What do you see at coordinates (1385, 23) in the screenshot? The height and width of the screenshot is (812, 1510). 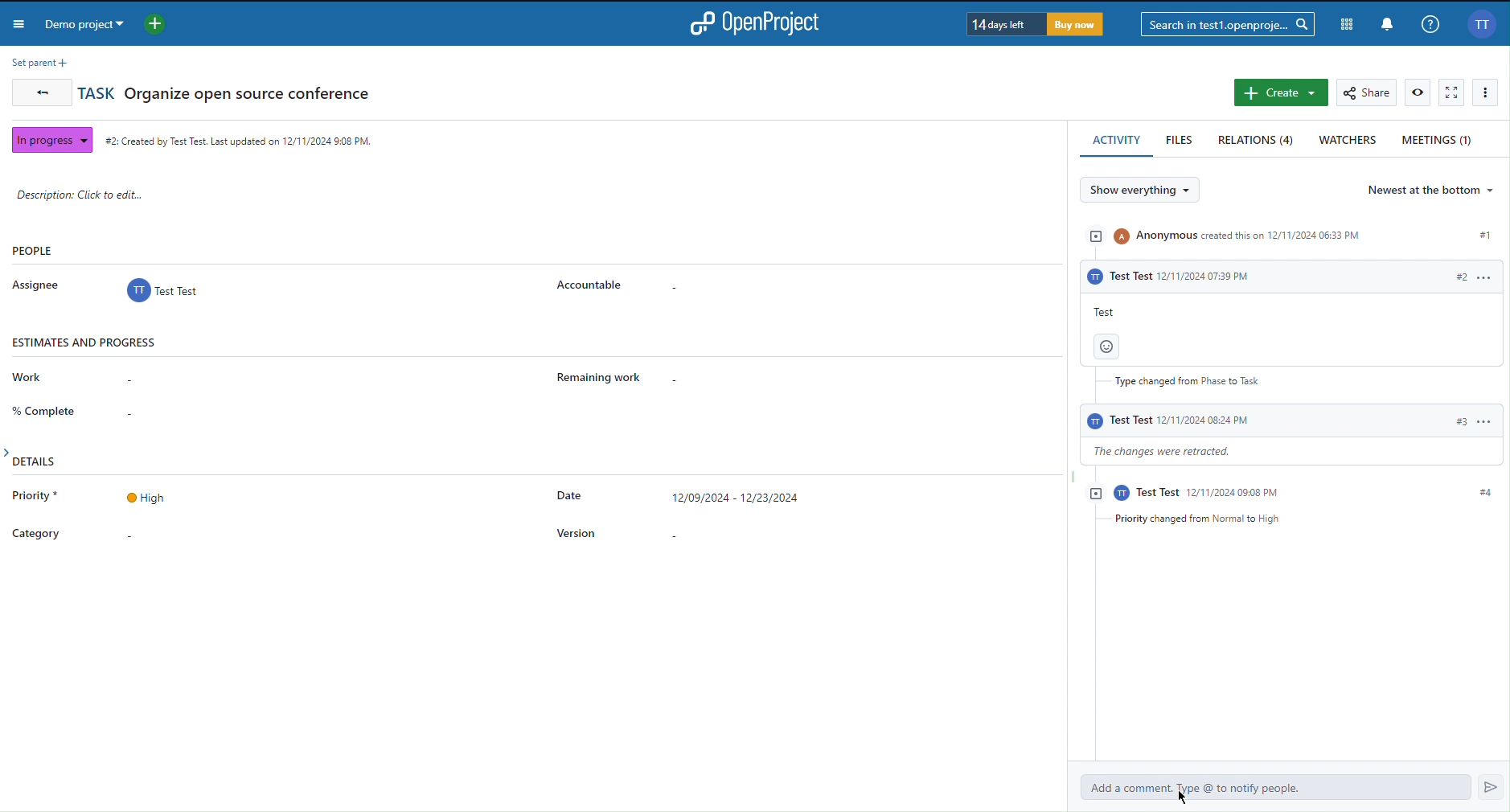 I see `Notifications` at bounding box center [1385, 23].